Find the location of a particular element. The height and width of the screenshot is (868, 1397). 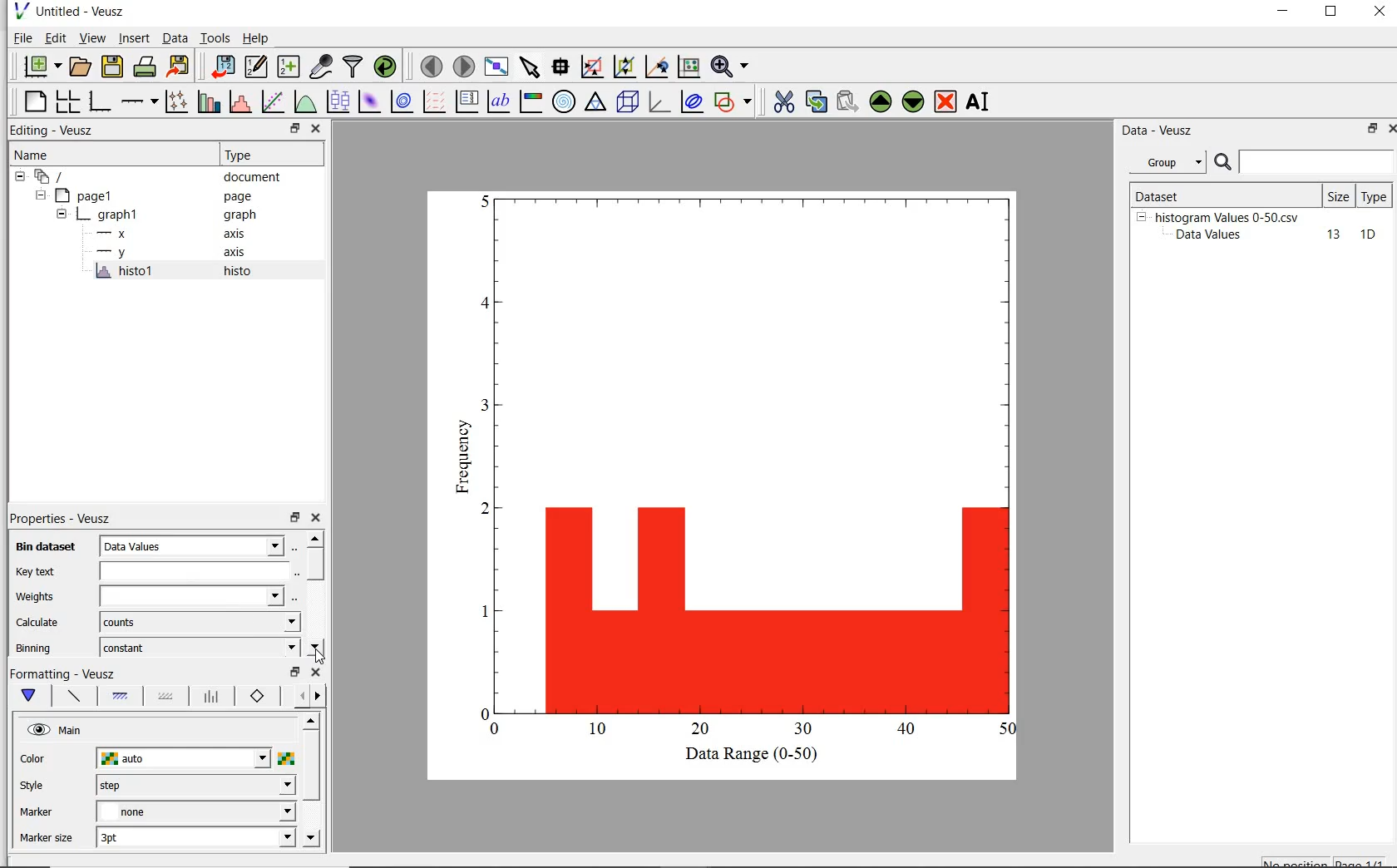

minimize is located at coordinates (1284, 13).